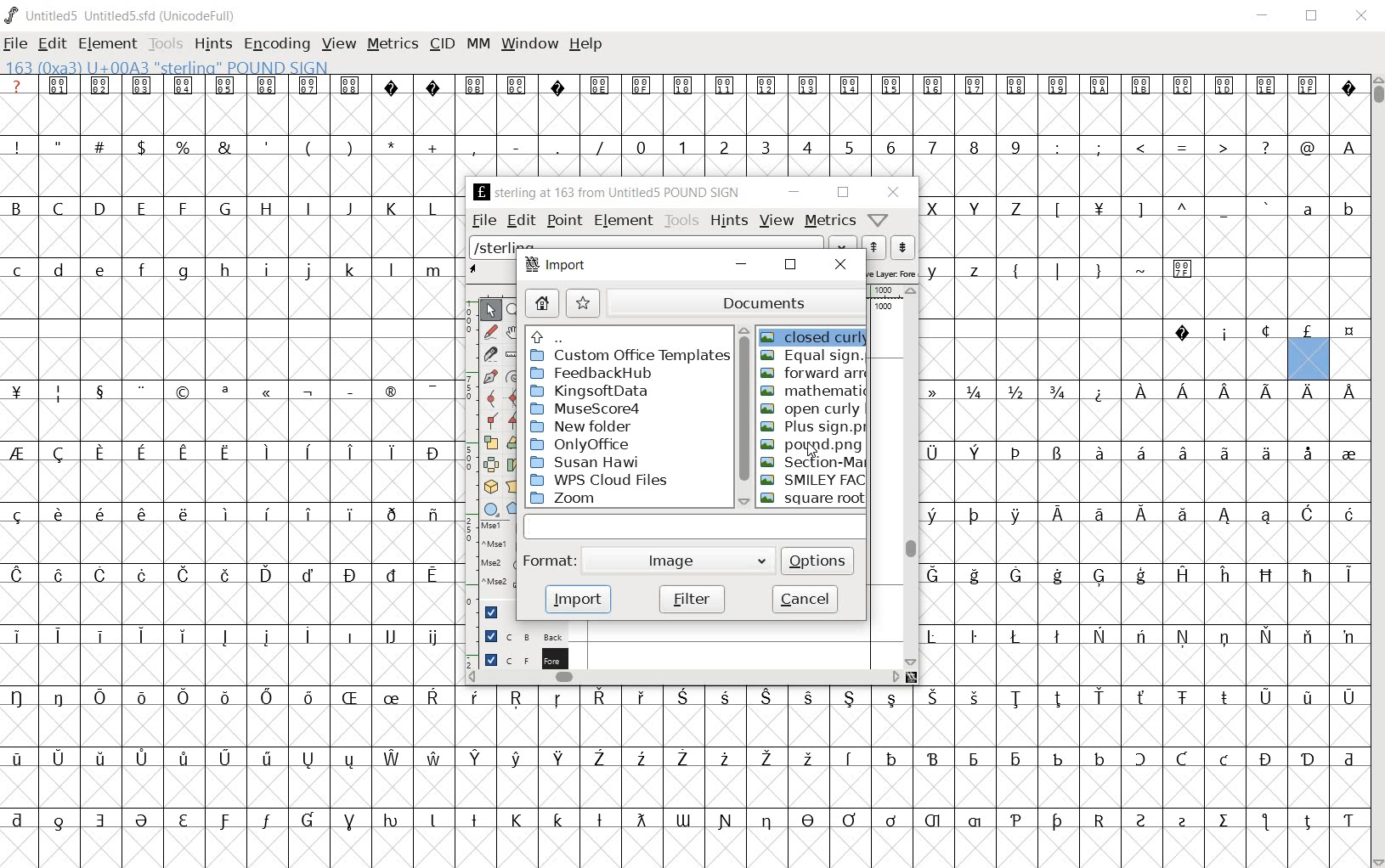 The image size is (1385, 868). Describe the element at coordinates (682, 759) in the screenshot. I see `Symbol` at that location.